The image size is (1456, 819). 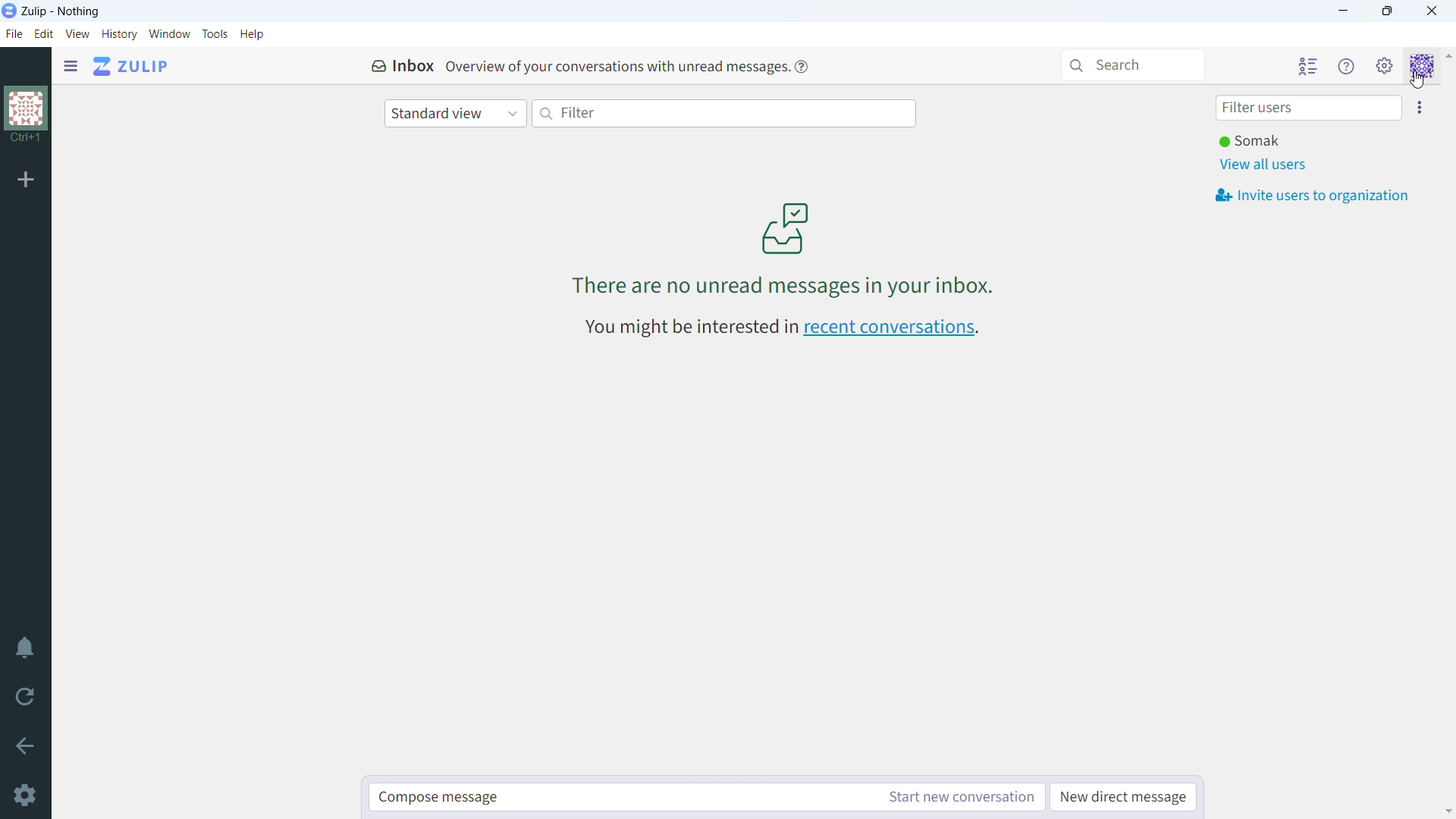 What do you see at coordinates (791, 287) in the screenshot?
I see `There are no unread messages in your inbox.` at bounding box center [791, 287].